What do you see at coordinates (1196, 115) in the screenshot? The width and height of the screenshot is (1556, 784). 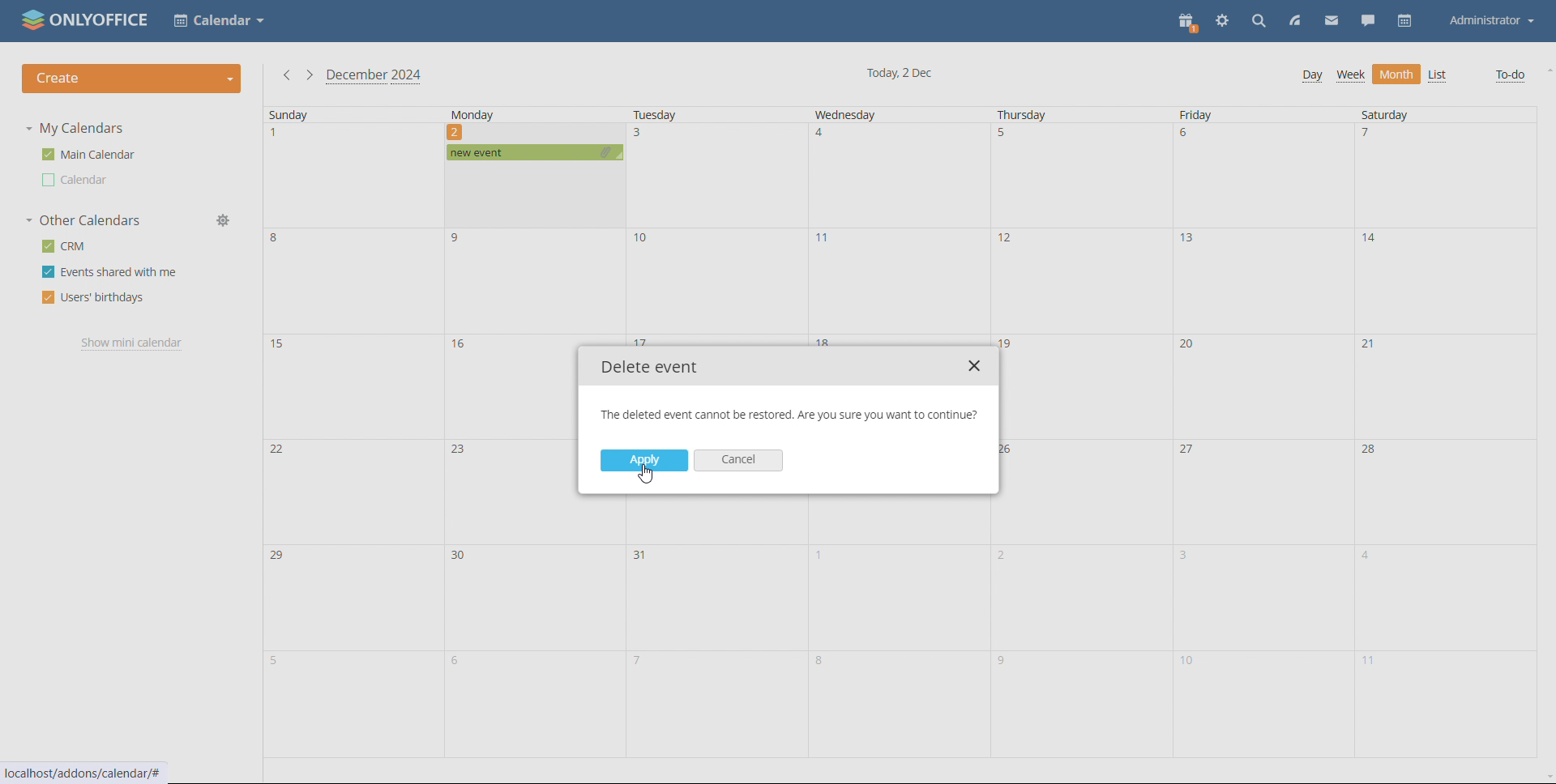 I see `Friday` at bounding box center [1196, 115].